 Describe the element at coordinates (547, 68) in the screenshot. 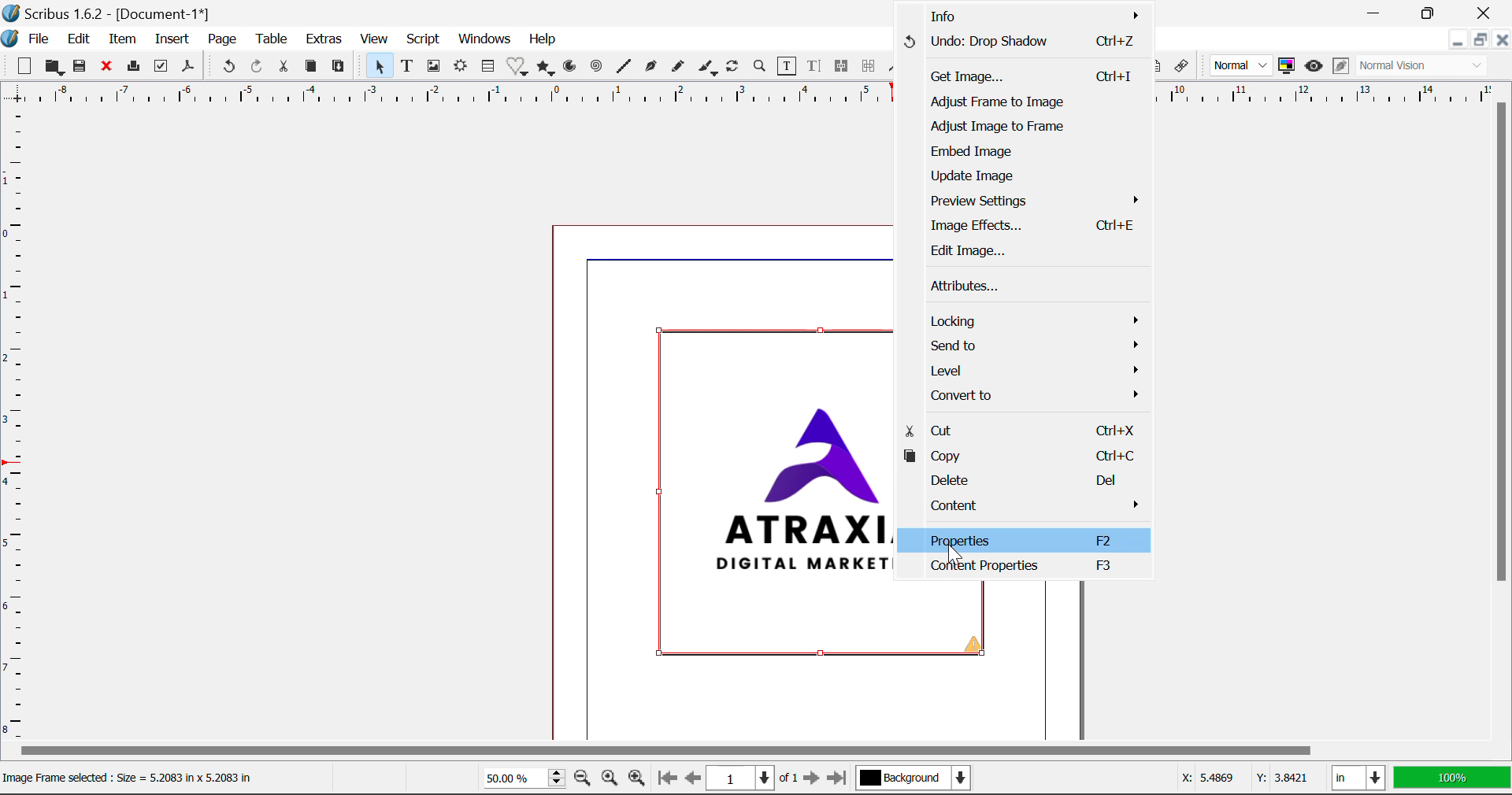

I see `Polygons` at that location.